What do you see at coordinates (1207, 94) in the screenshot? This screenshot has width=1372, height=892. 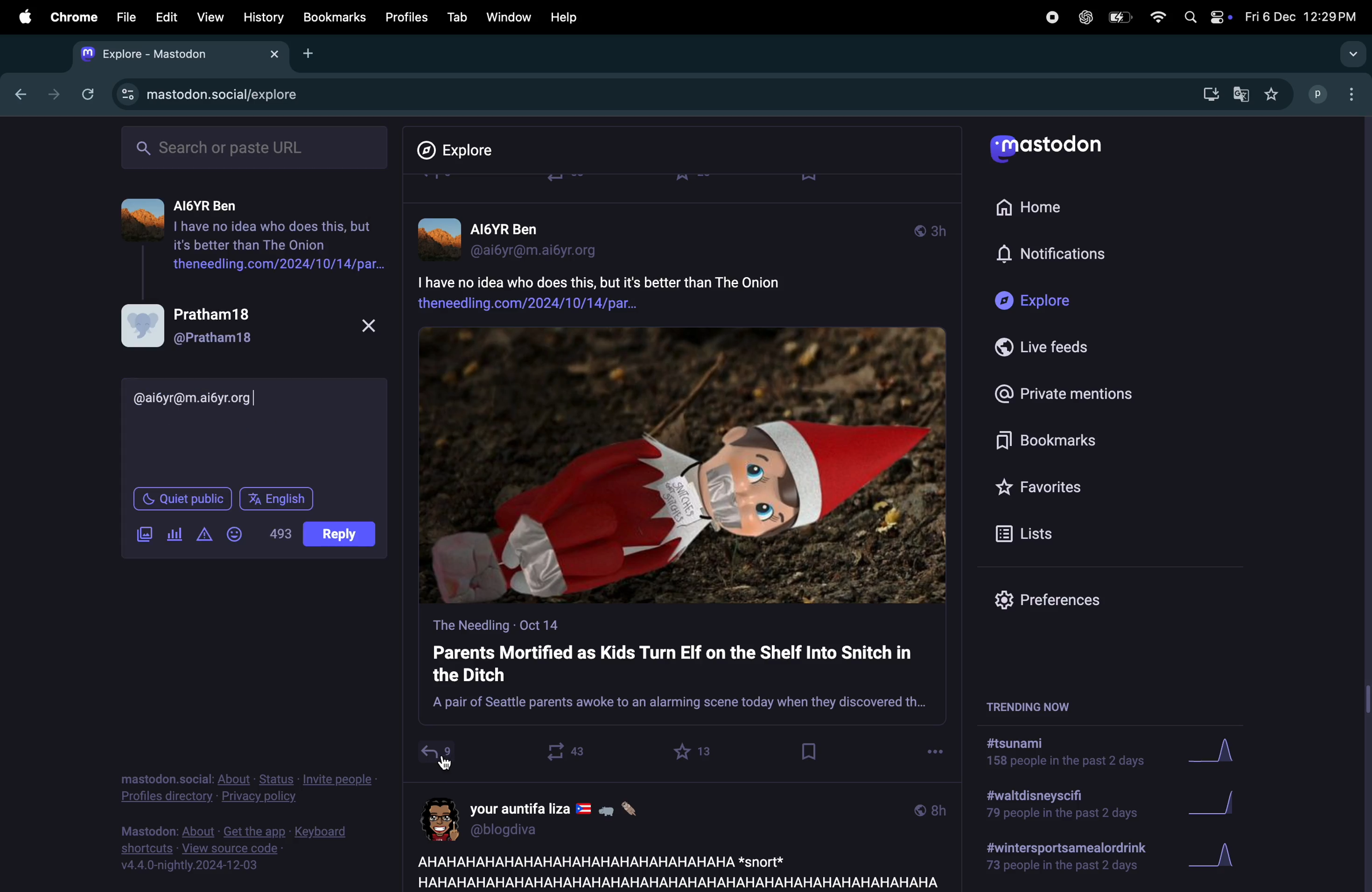 I see `download masto don` at bounding box center [1207, 94].